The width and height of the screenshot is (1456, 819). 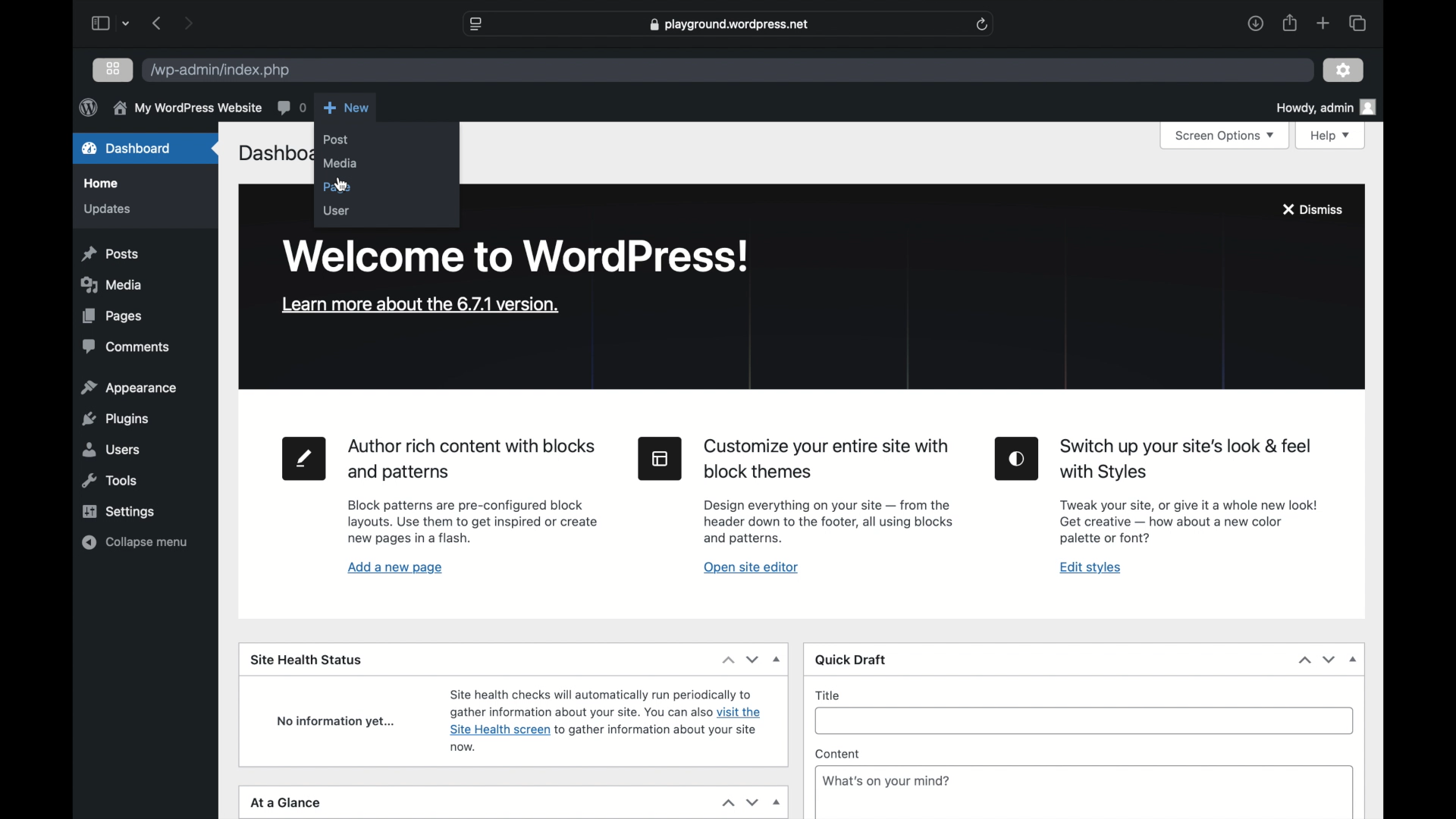 I want to click on open site editor, so click(x=751, y=568).